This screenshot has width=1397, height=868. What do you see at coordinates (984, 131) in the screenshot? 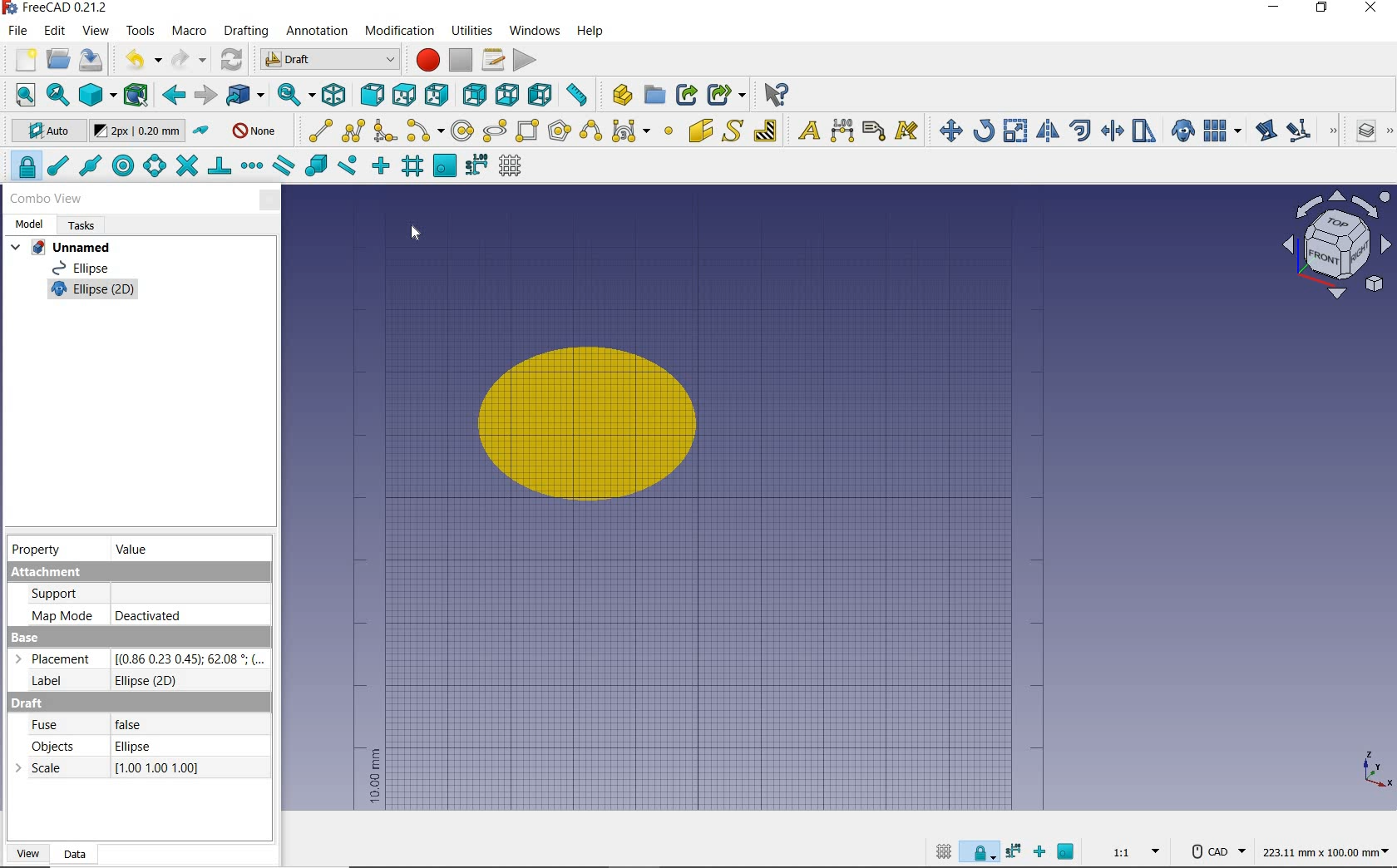
I see `rotate` at bounding box center [984, 131].